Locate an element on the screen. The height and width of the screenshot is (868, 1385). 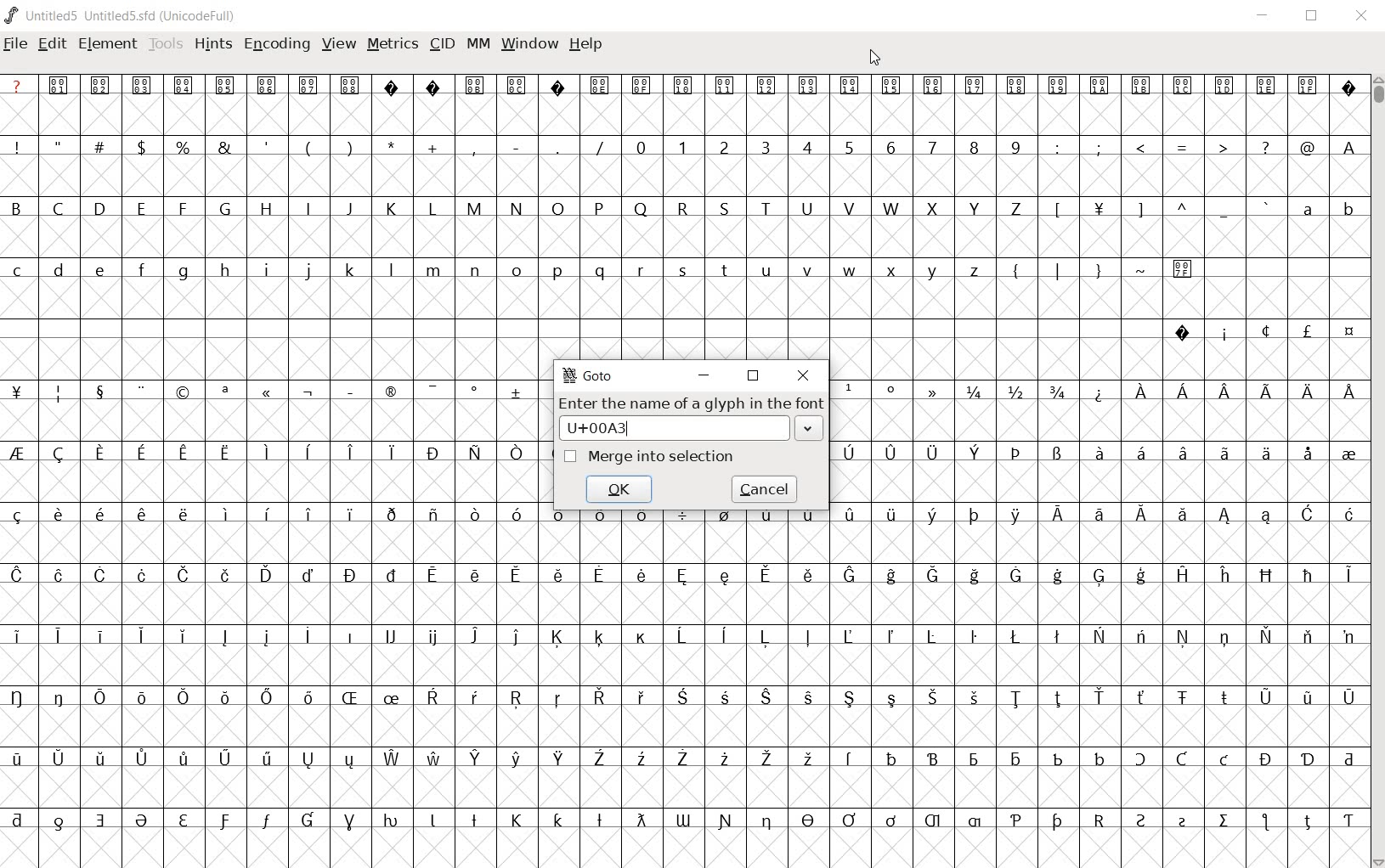
Symbol is located at coordinates (1266, 575).